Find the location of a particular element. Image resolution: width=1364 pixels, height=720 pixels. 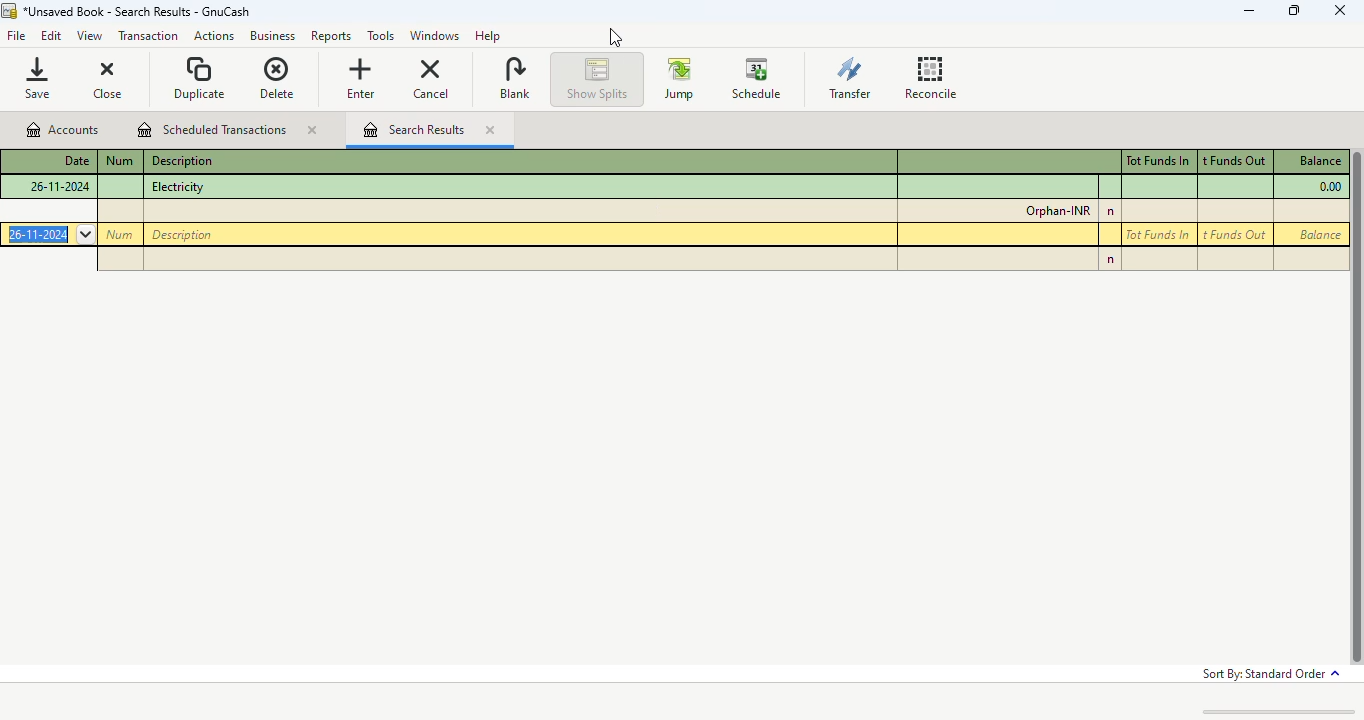

save is located at coordinates (38, 78).